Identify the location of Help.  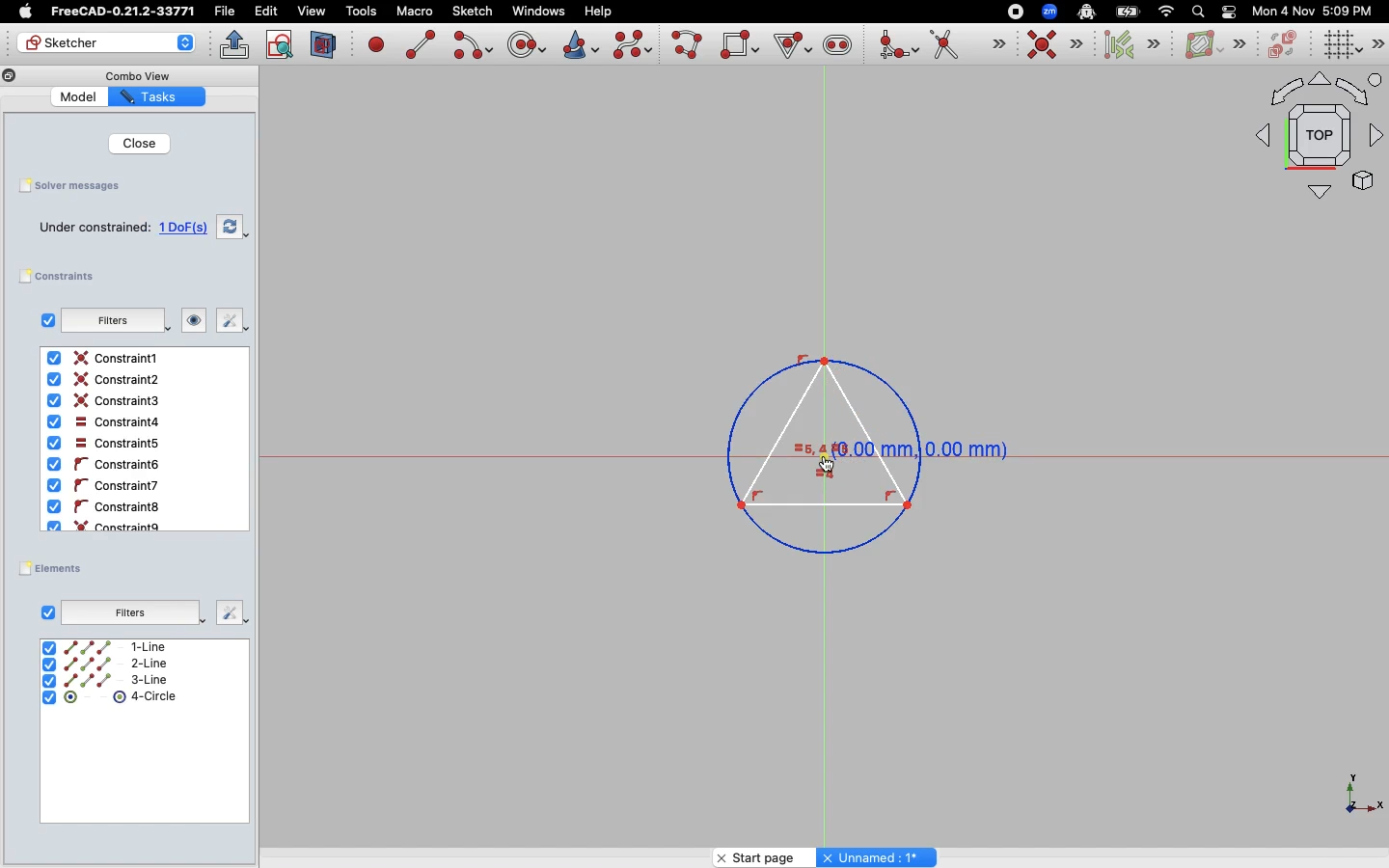
(599, 10).